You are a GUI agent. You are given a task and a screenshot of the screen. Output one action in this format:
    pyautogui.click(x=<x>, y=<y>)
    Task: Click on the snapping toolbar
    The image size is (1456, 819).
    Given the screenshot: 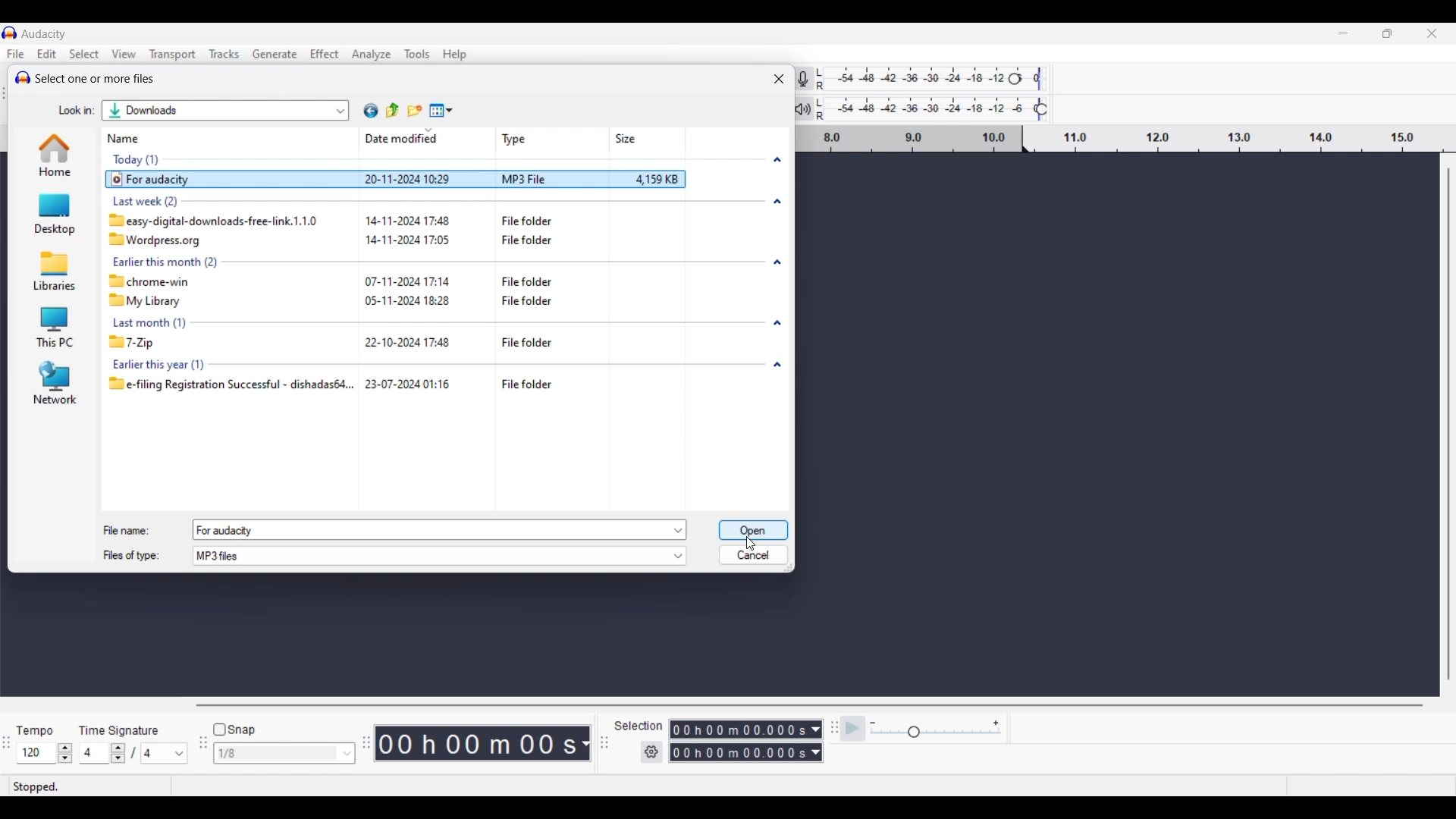 What is the action you would take?
    pyautogui.click(x=200, y=752)
    